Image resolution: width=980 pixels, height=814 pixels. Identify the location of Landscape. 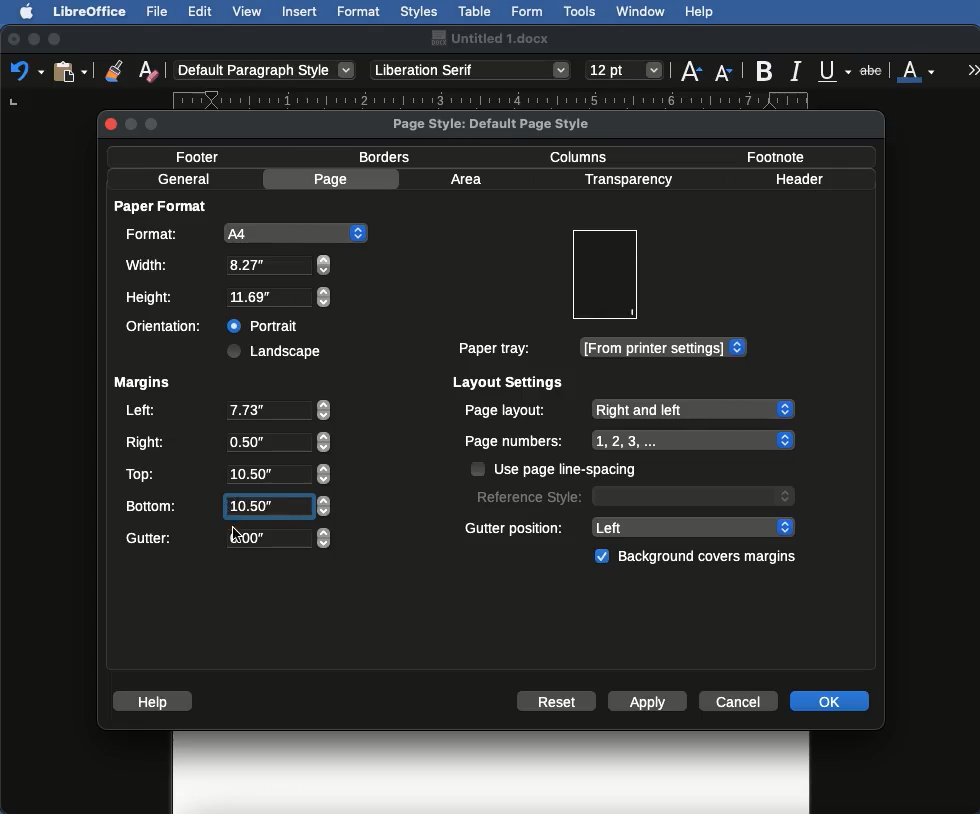
(277, 351).